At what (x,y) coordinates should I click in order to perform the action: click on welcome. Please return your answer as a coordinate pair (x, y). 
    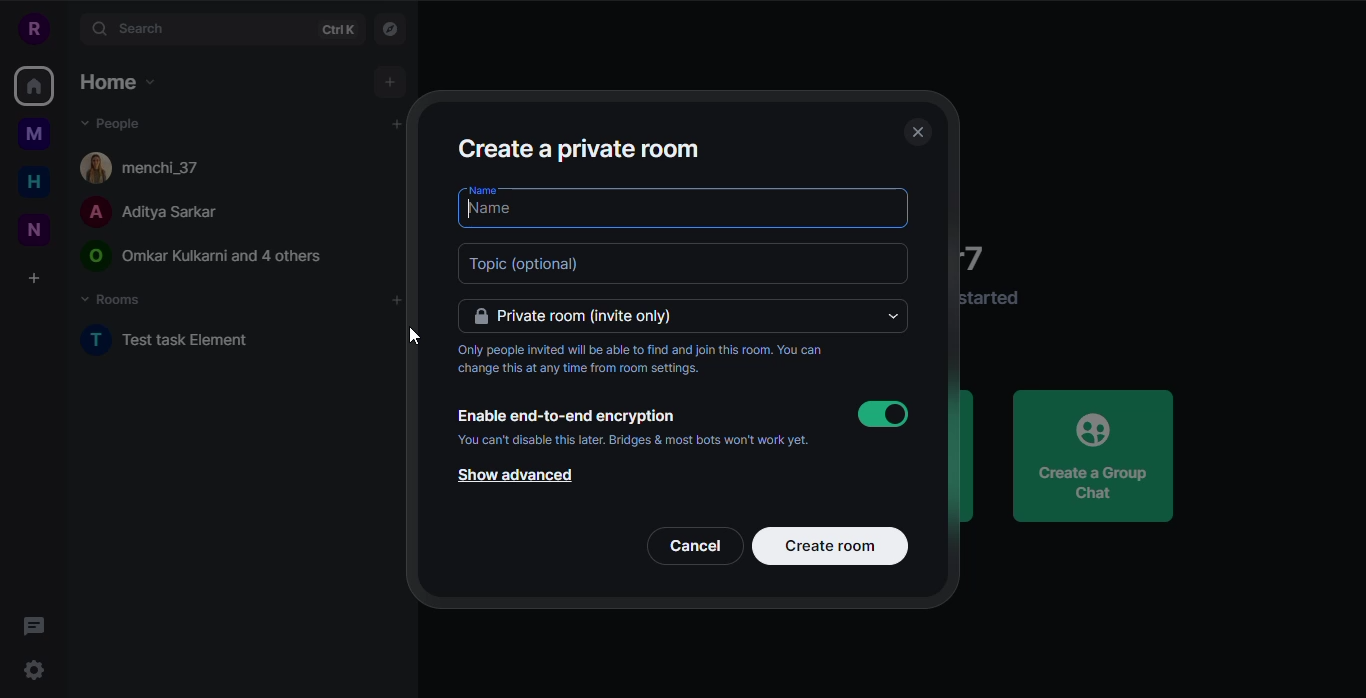
    Looking at the image, I should click on (983, 256).